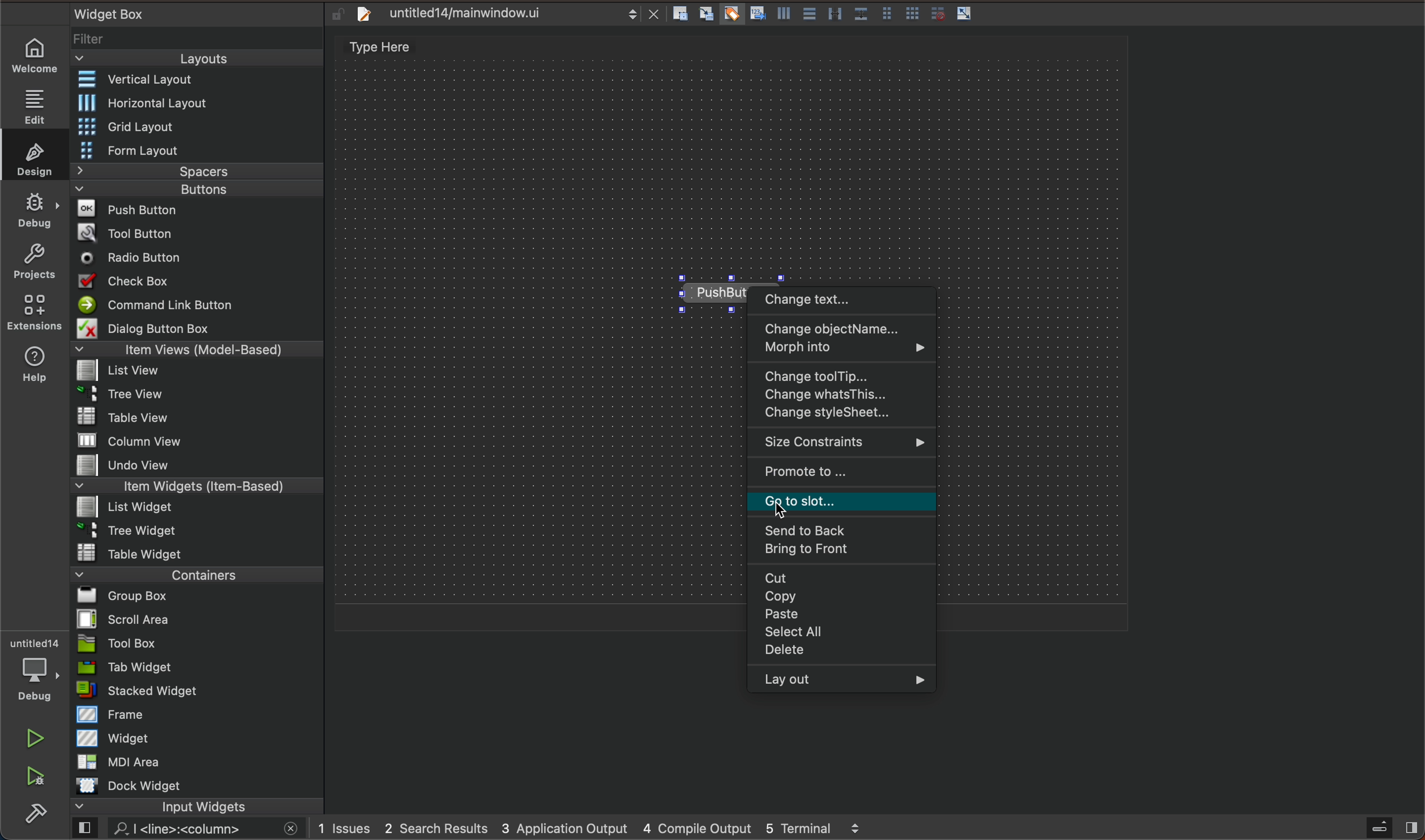 Image resolution: width=1425 pixels, height=840 pixels. I want to click on checkbox, so click(198, 283).